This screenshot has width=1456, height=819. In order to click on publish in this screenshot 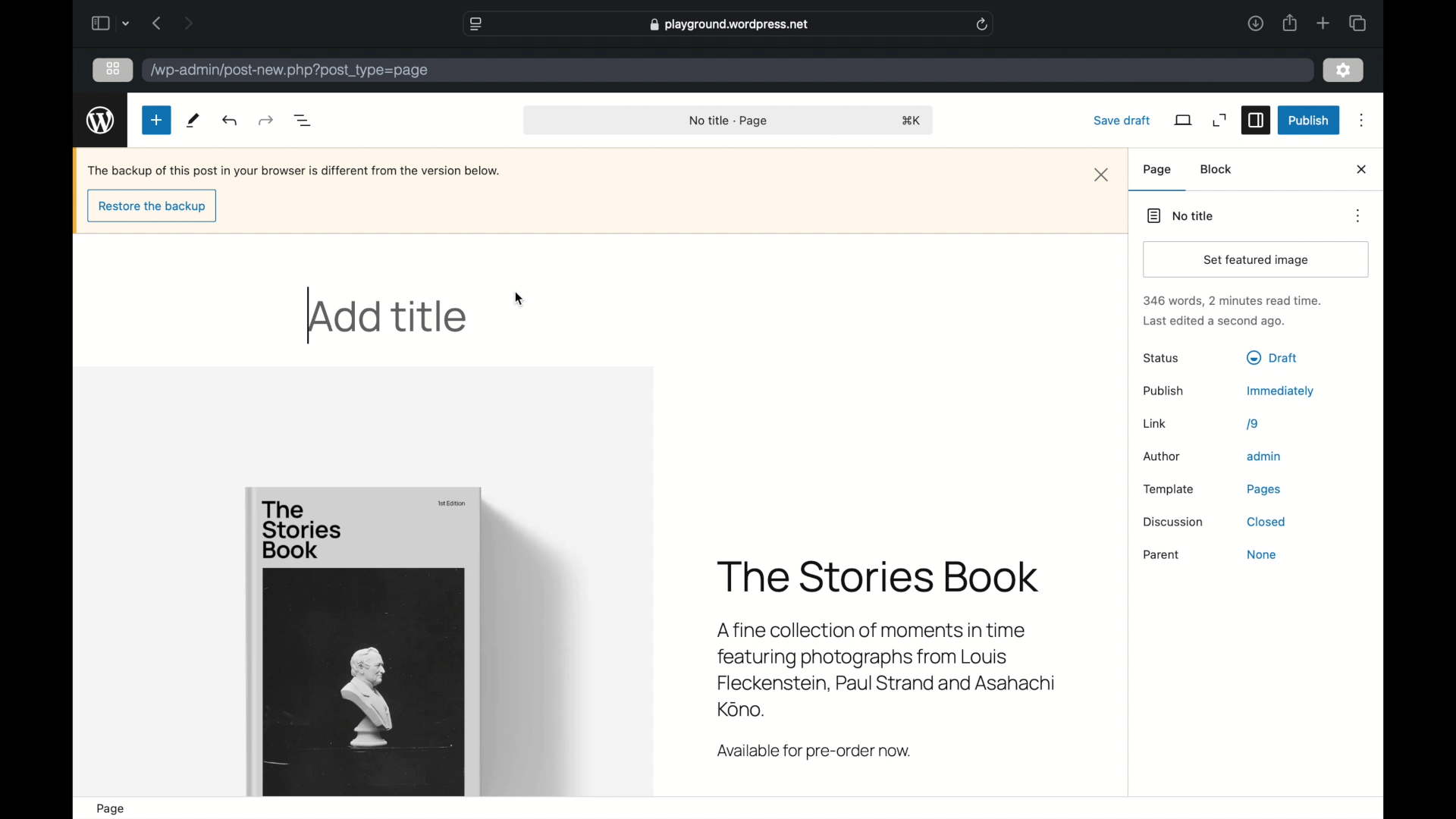, I will do `click(1163, 391)`.